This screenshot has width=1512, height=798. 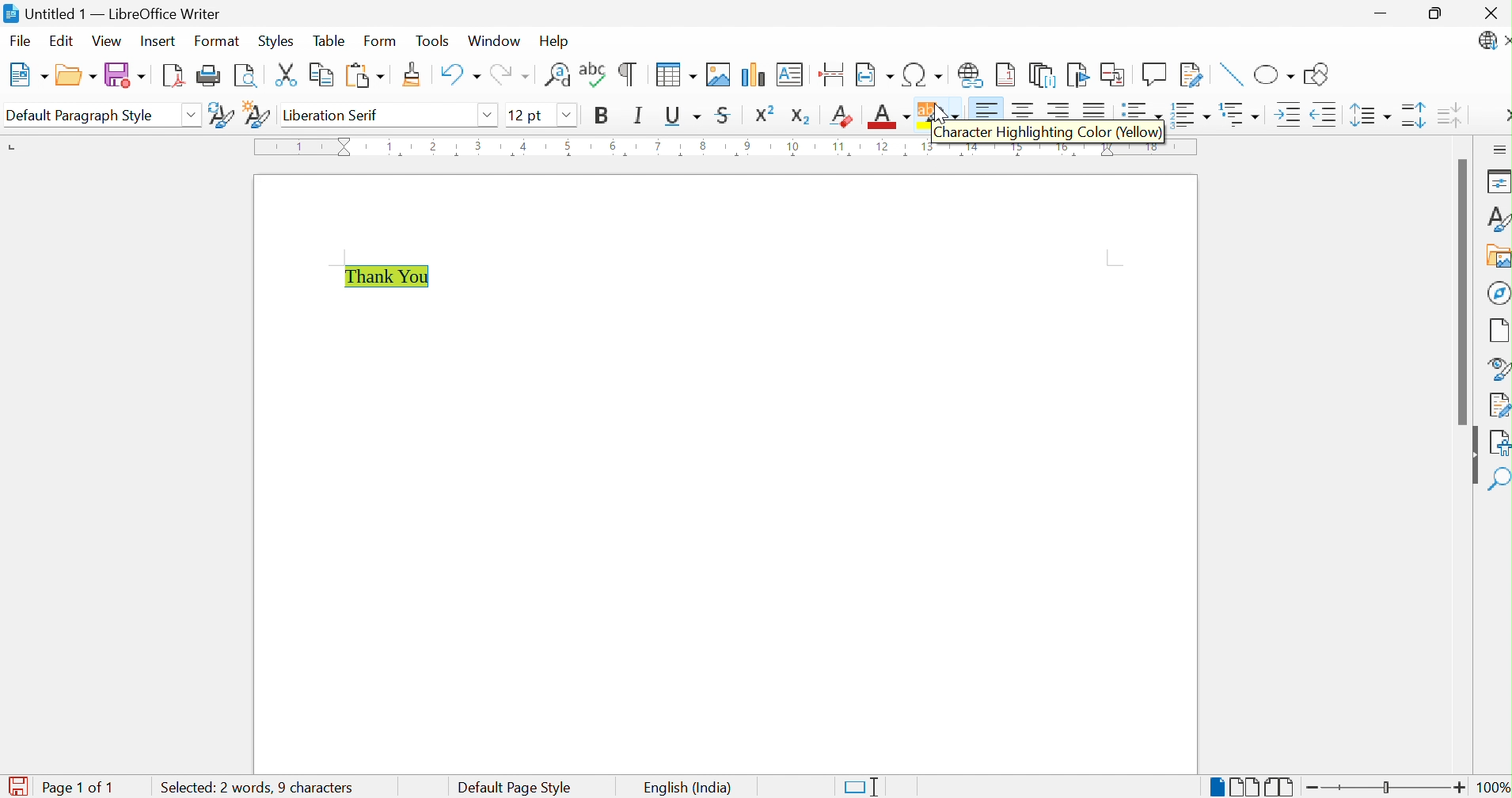 What do you see at coordinates (284, 74) in the screenshot?
I see `Cut` at bounding box center [284, 74].